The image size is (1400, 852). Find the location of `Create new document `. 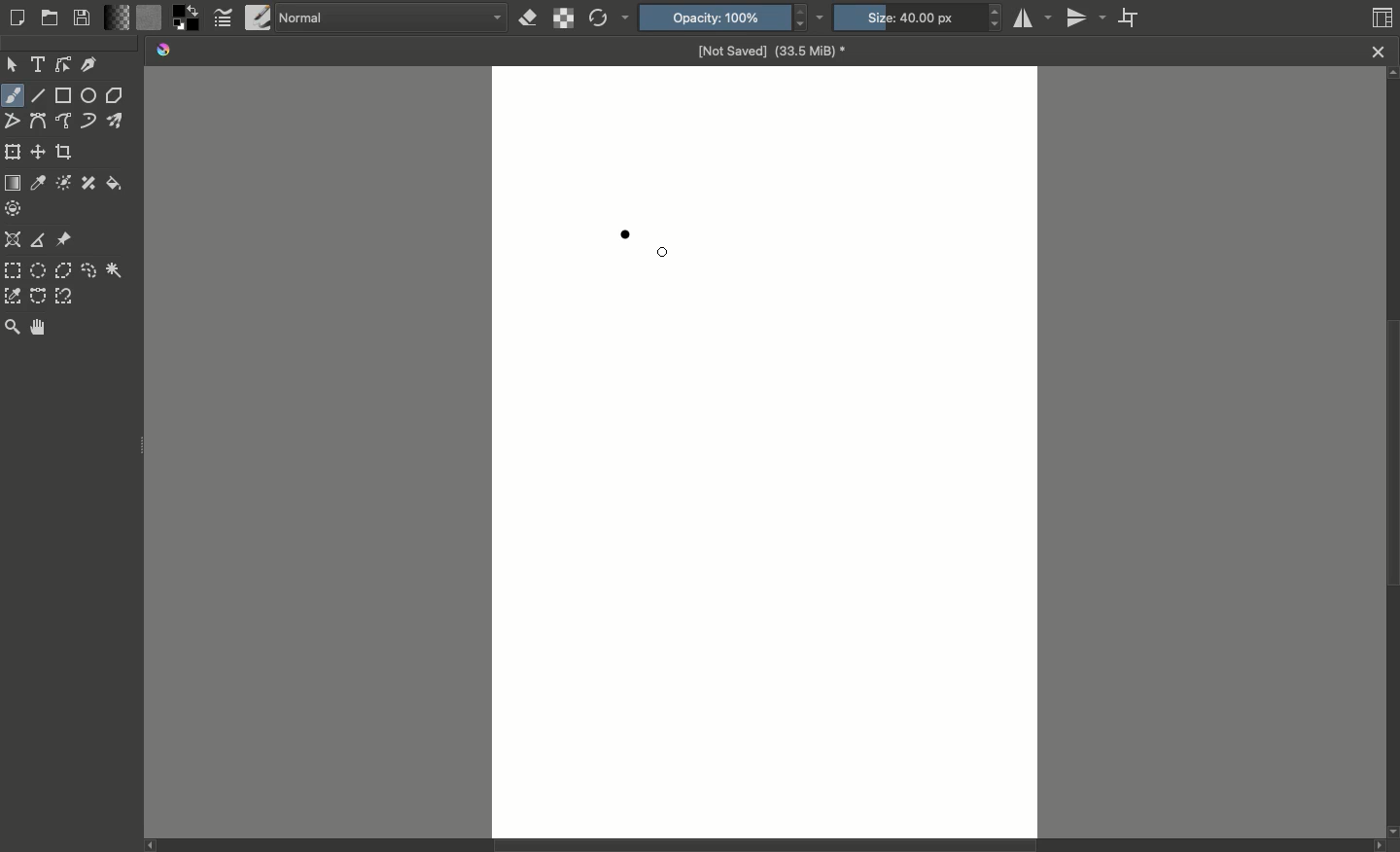

Create new document  is located at coordinates (18, 18).